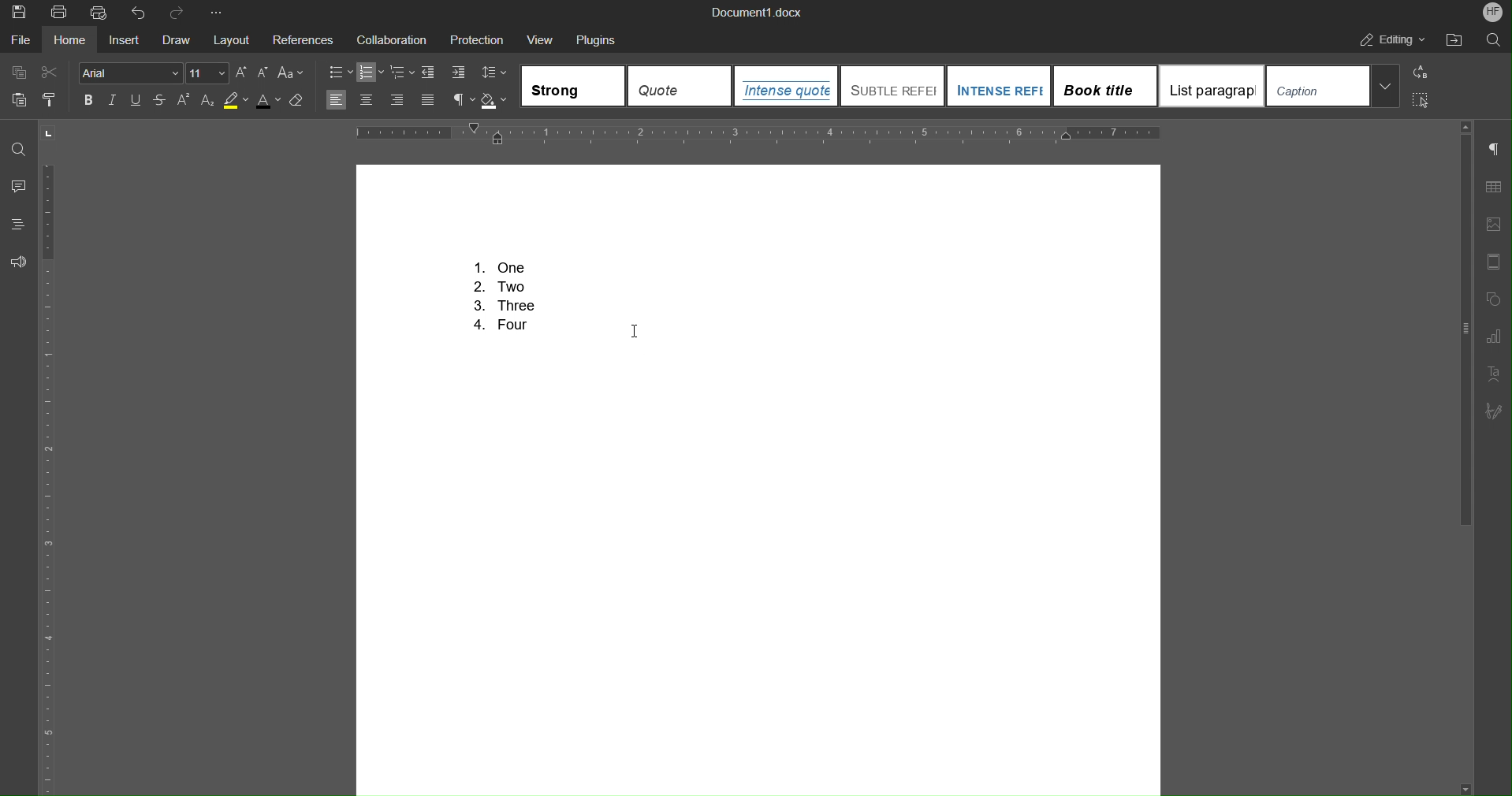 The width and height of the screenshot is (1512, 796). What do you see at coordinates (430, 73) in the screenshot?
I see `Decrease Indent` at bounding box center [430, 73].